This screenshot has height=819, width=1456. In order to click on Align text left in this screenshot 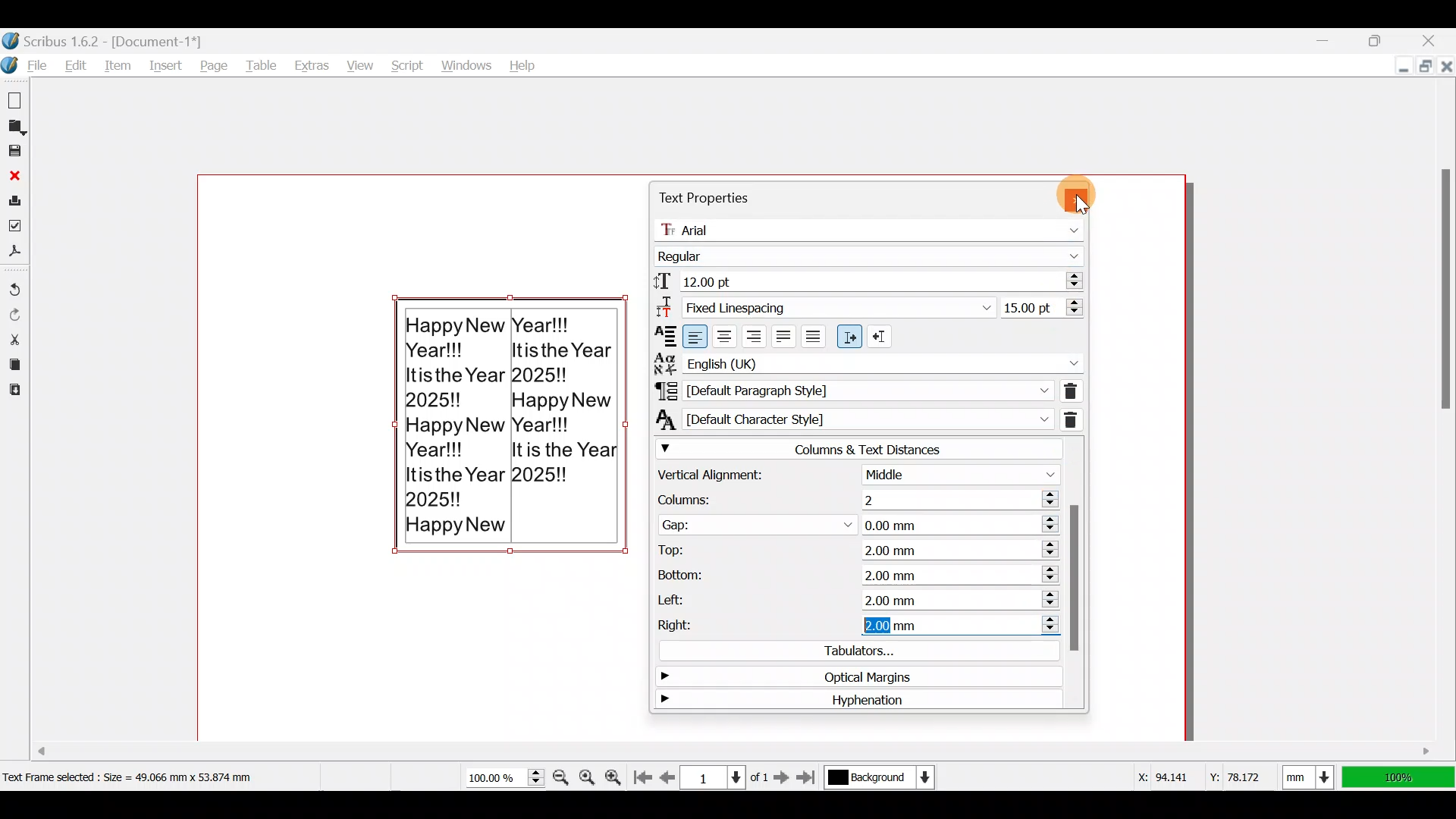, I will do `click(697, 335)`.